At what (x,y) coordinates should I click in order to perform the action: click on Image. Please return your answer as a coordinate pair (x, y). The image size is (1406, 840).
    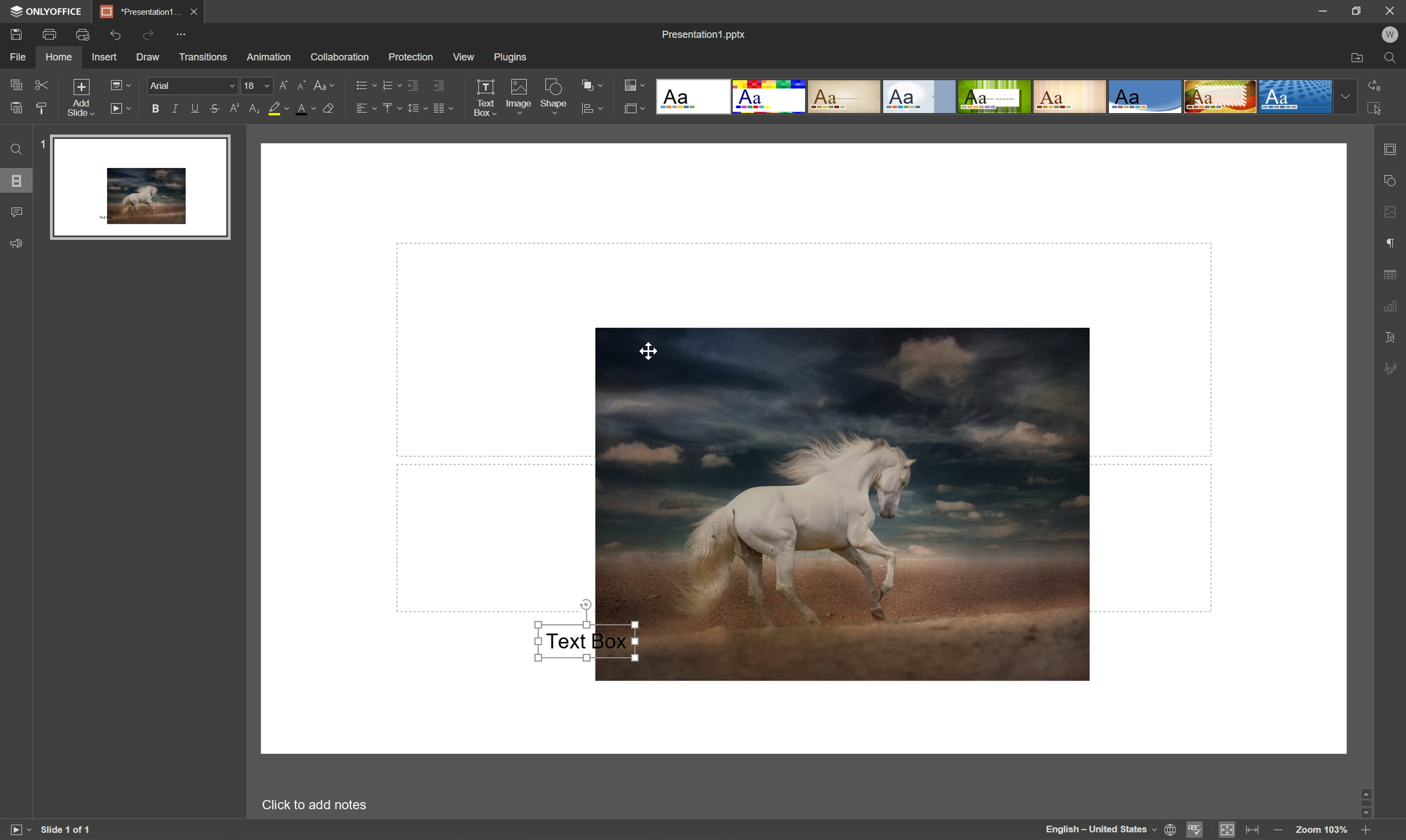
    Looking at the image, I should click on (860, 503).